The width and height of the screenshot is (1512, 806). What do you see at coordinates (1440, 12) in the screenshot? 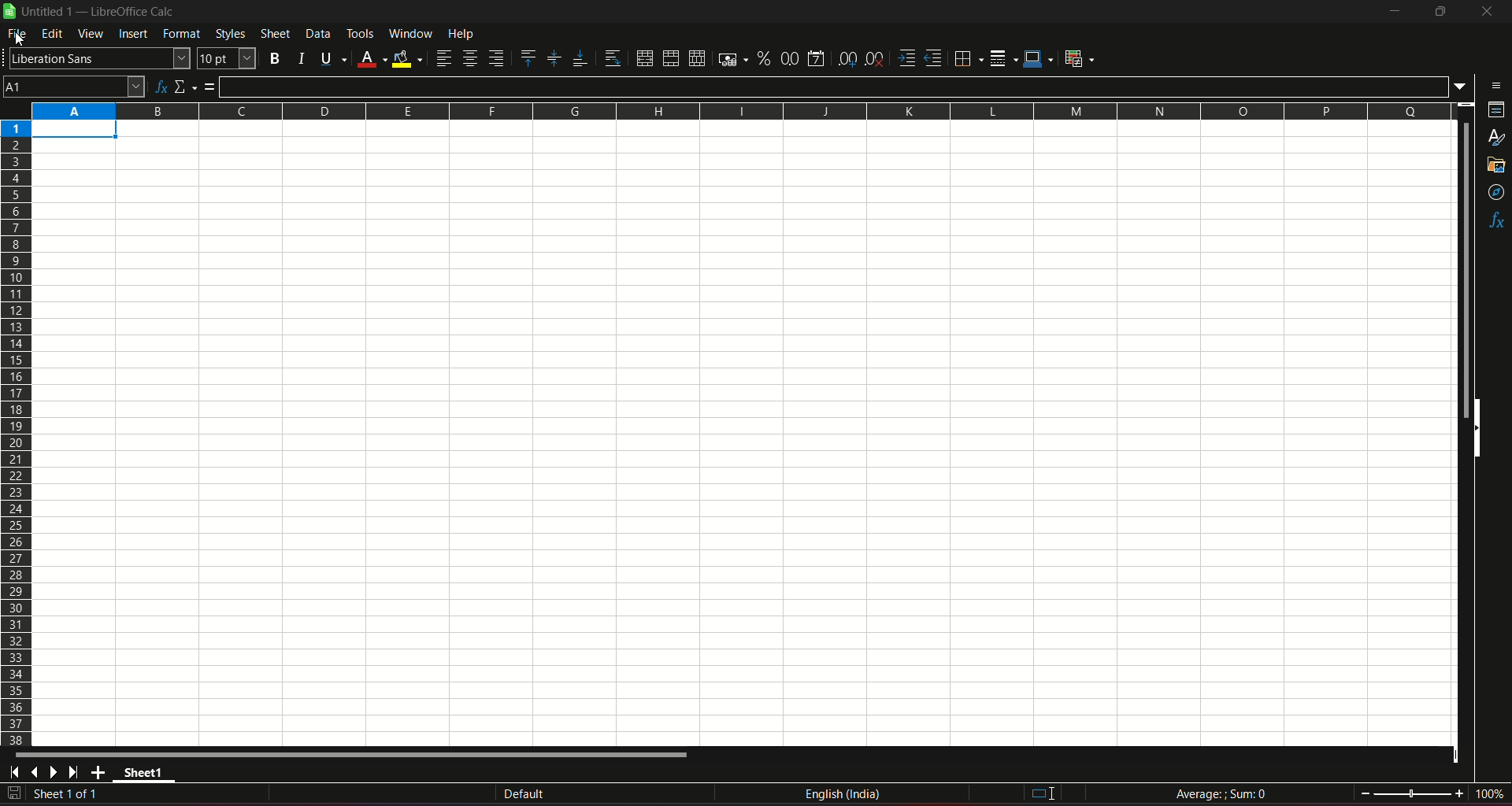
I see `maximize` at bounding box center [1440, 12].